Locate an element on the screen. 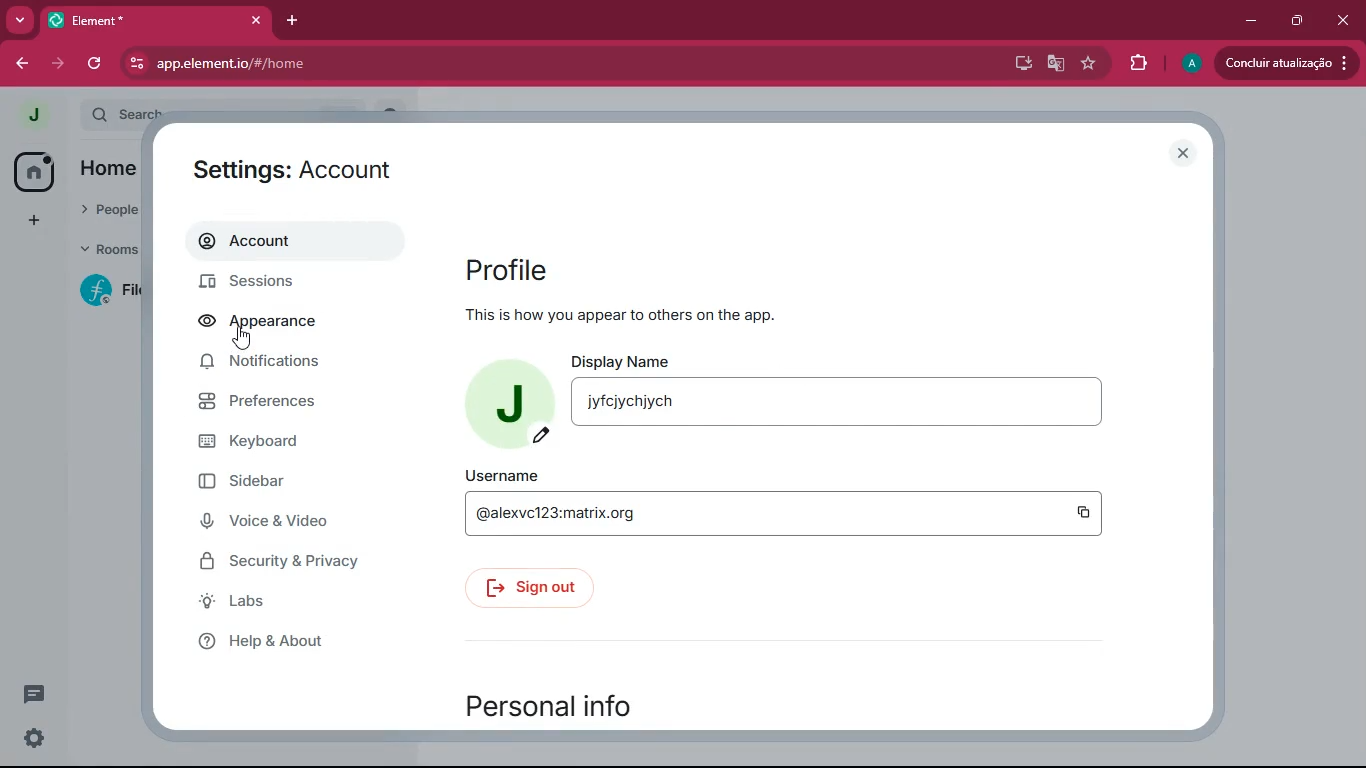 The width and height of the screenshot is (1366, 768). profile is located at coordinates (516, 265).